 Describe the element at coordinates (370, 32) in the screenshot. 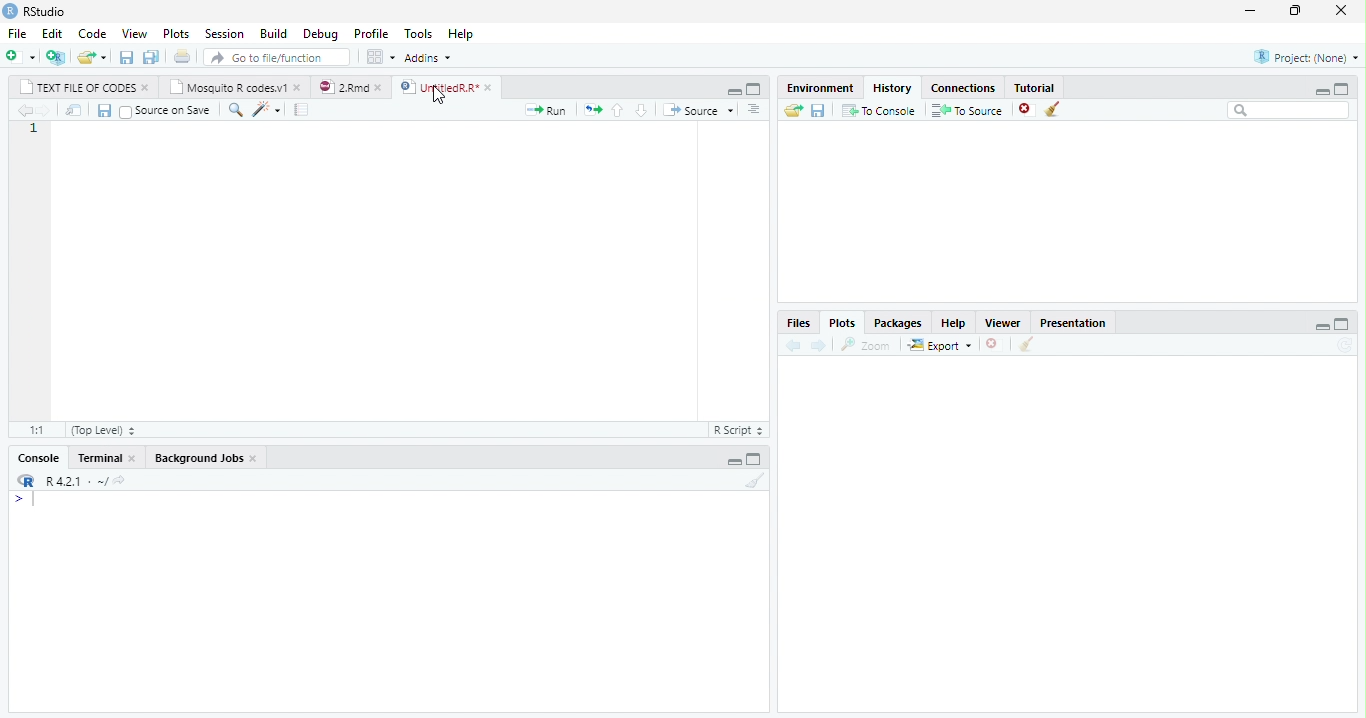

I see `profile` at that location.